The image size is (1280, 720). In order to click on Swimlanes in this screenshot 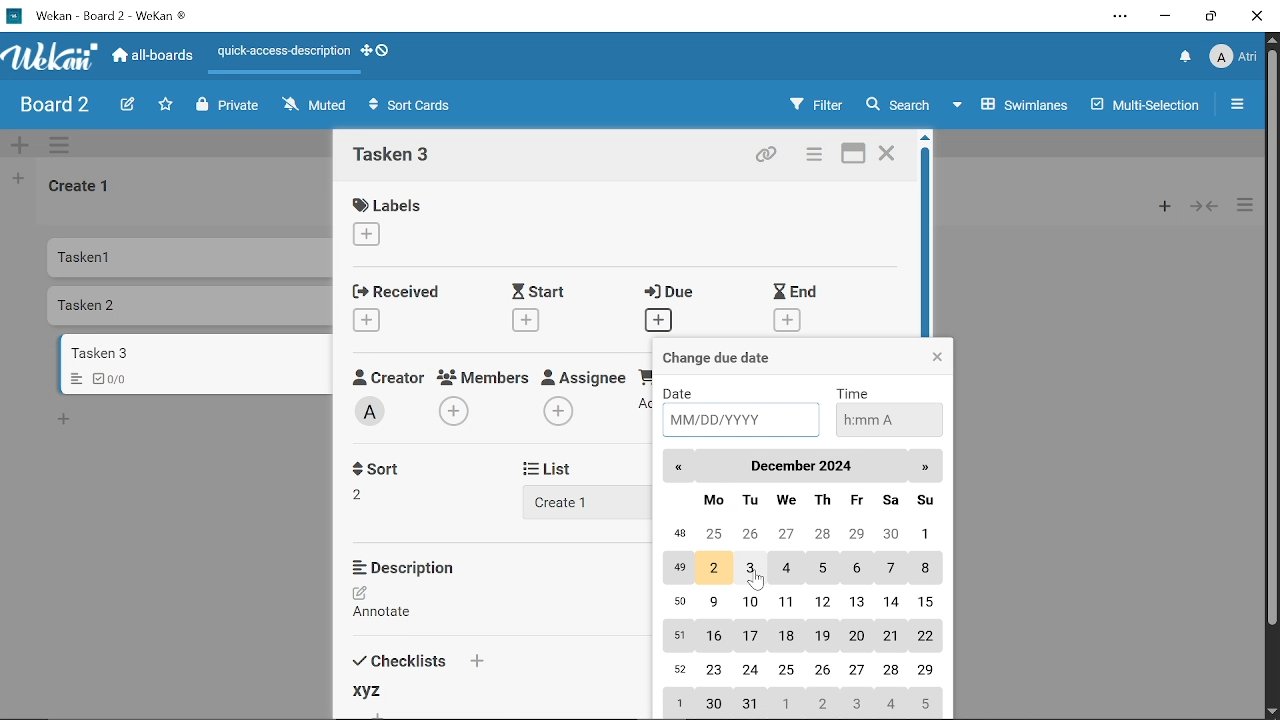, I will do `click(1016, 103)`.